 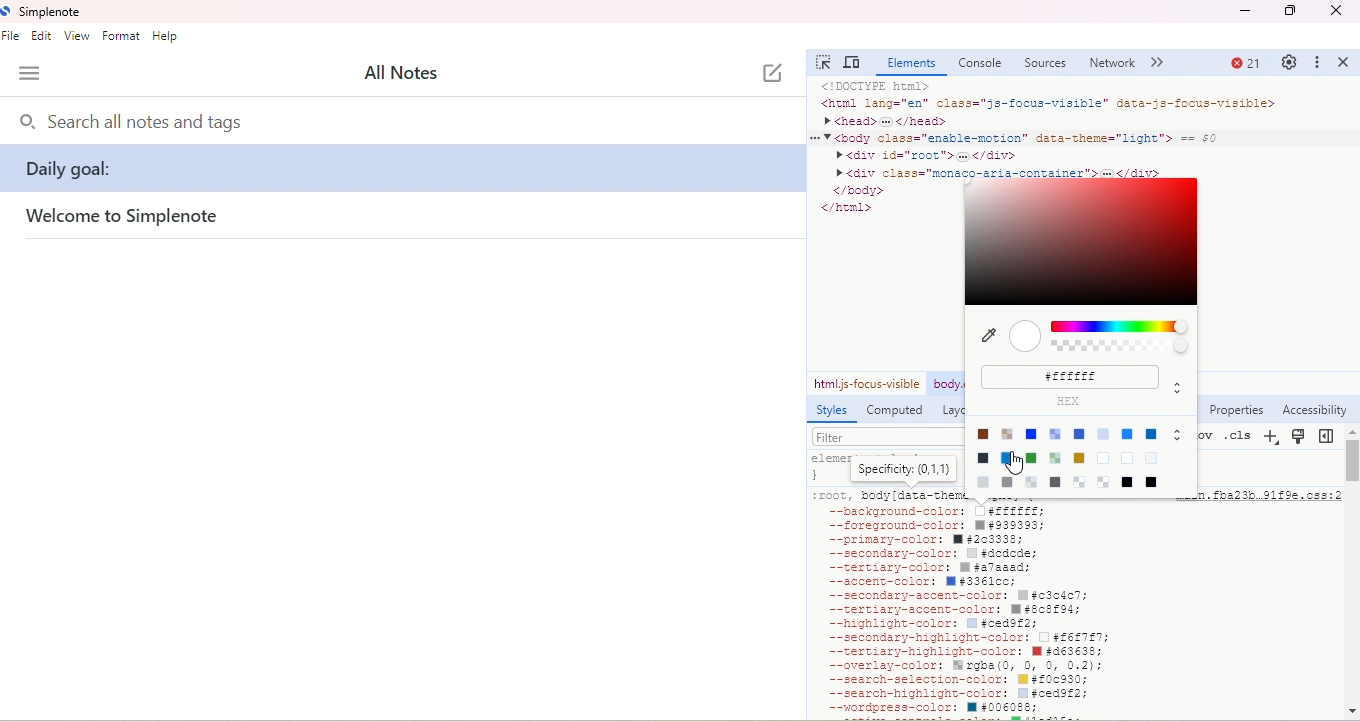 What do you see at coordinates (1073, 376) in the screenshot?
I see `color code` at bounding box center [1073, 376].